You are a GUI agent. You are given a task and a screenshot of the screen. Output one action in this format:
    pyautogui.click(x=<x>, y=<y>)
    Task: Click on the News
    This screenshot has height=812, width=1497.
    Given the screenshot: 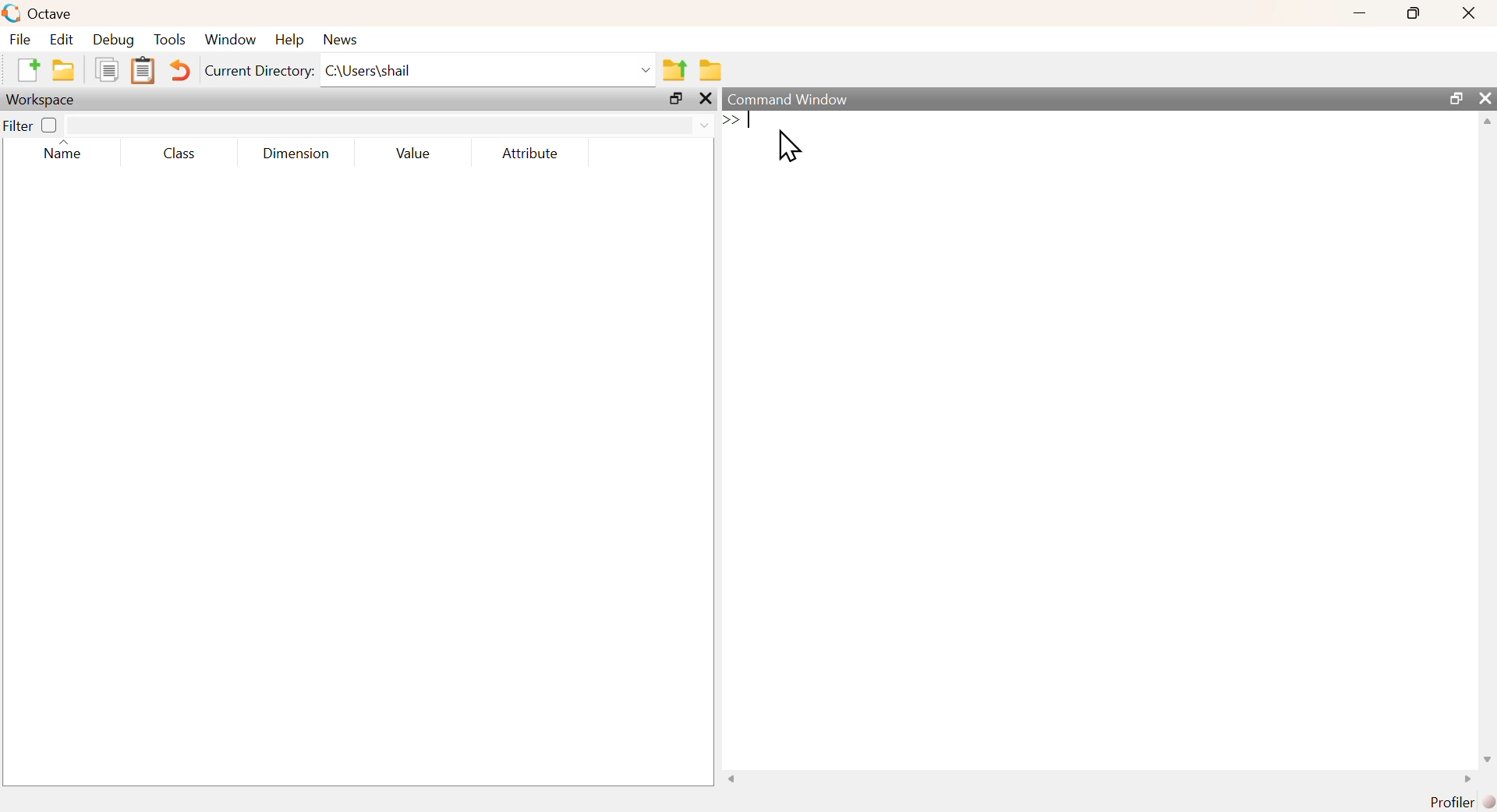 What is the action you would take?
    pyautogui.click(x=341, y=40)
    